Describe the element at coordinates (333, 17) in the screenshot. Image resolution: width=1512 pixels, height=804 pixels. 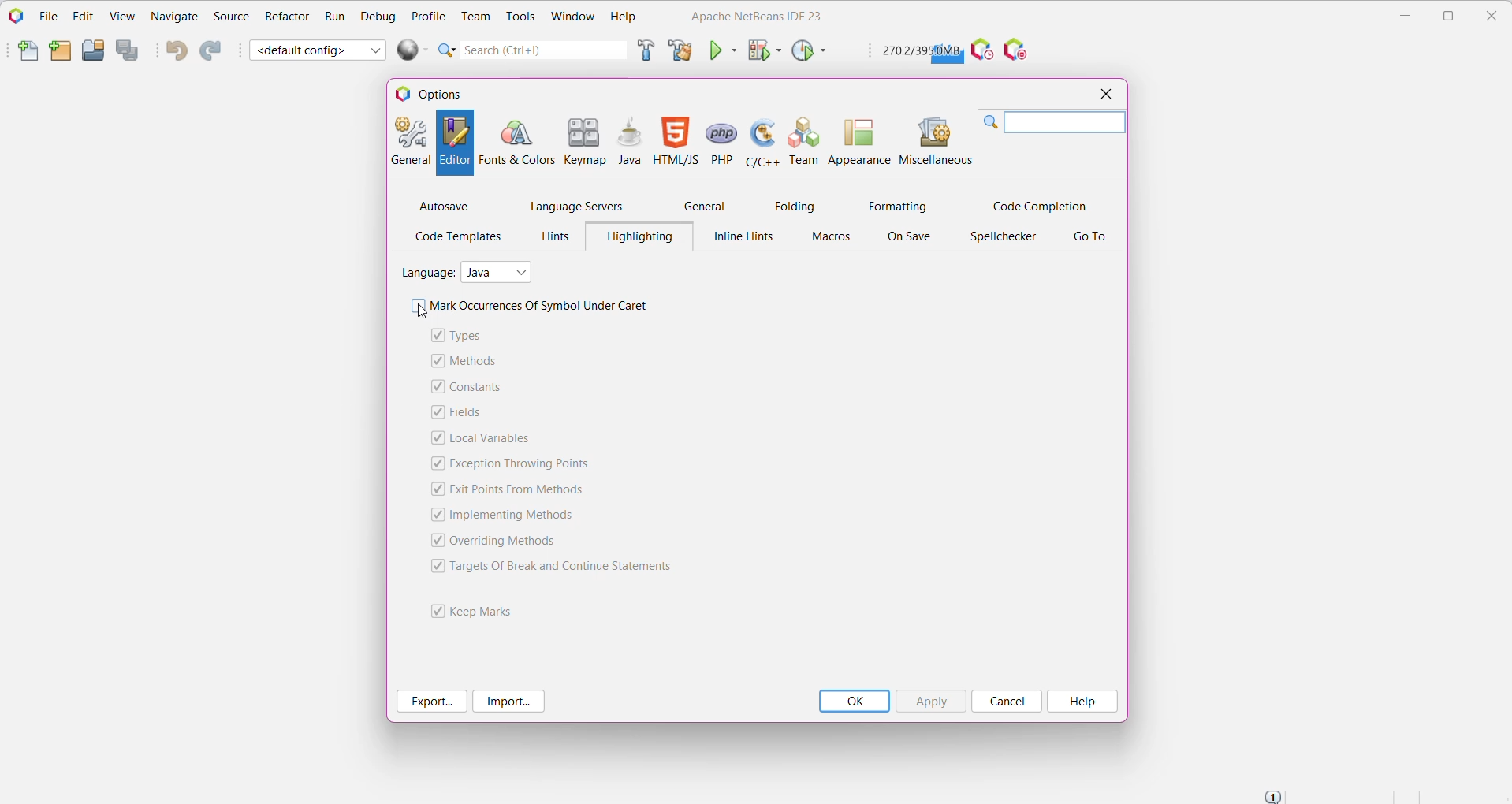
I see `Run` at that location.